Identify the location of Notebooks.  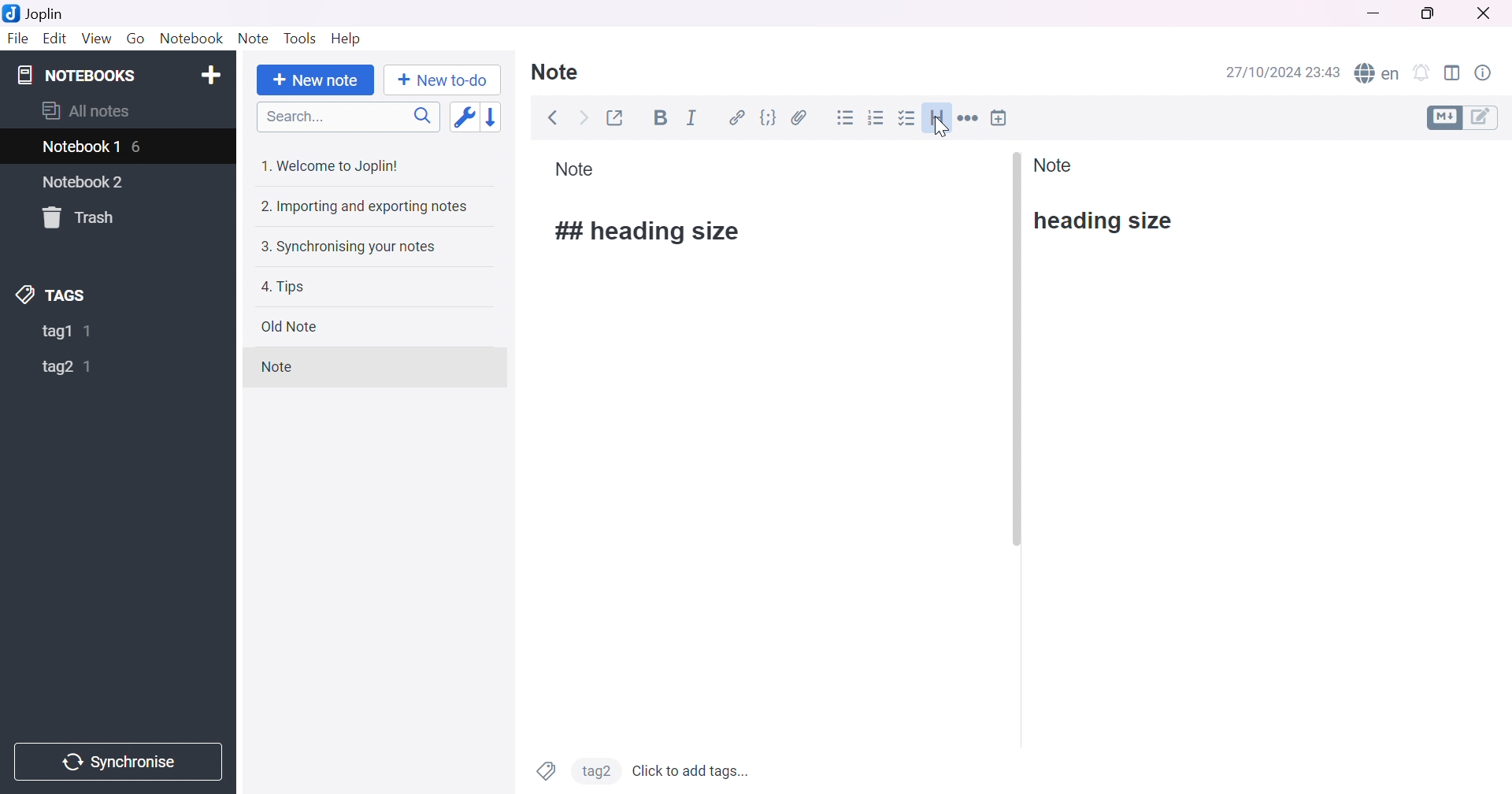
(78, 75).